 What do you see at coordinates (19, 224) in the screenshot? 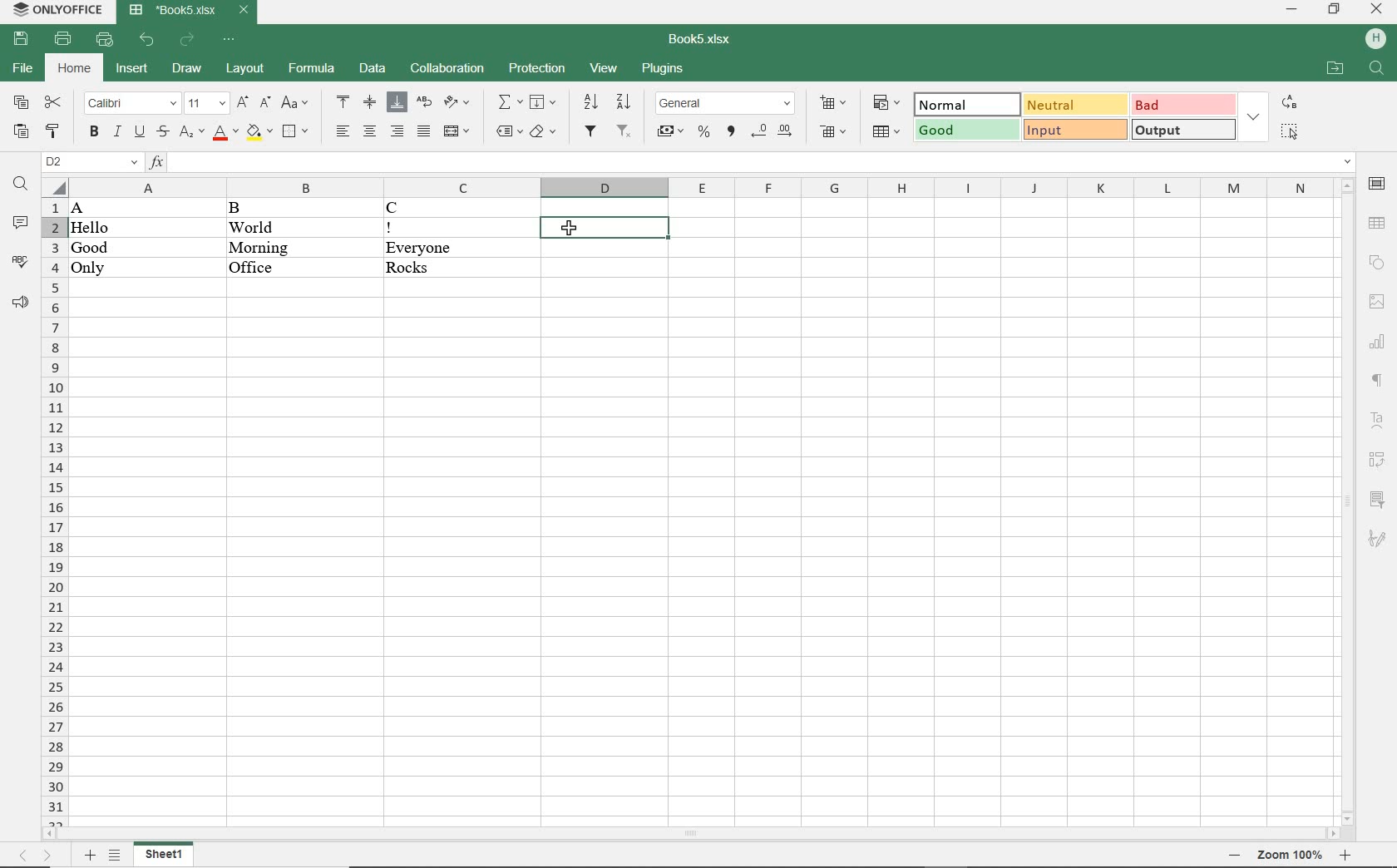
I see `COMMENTS` at bounding box center [19, 224].